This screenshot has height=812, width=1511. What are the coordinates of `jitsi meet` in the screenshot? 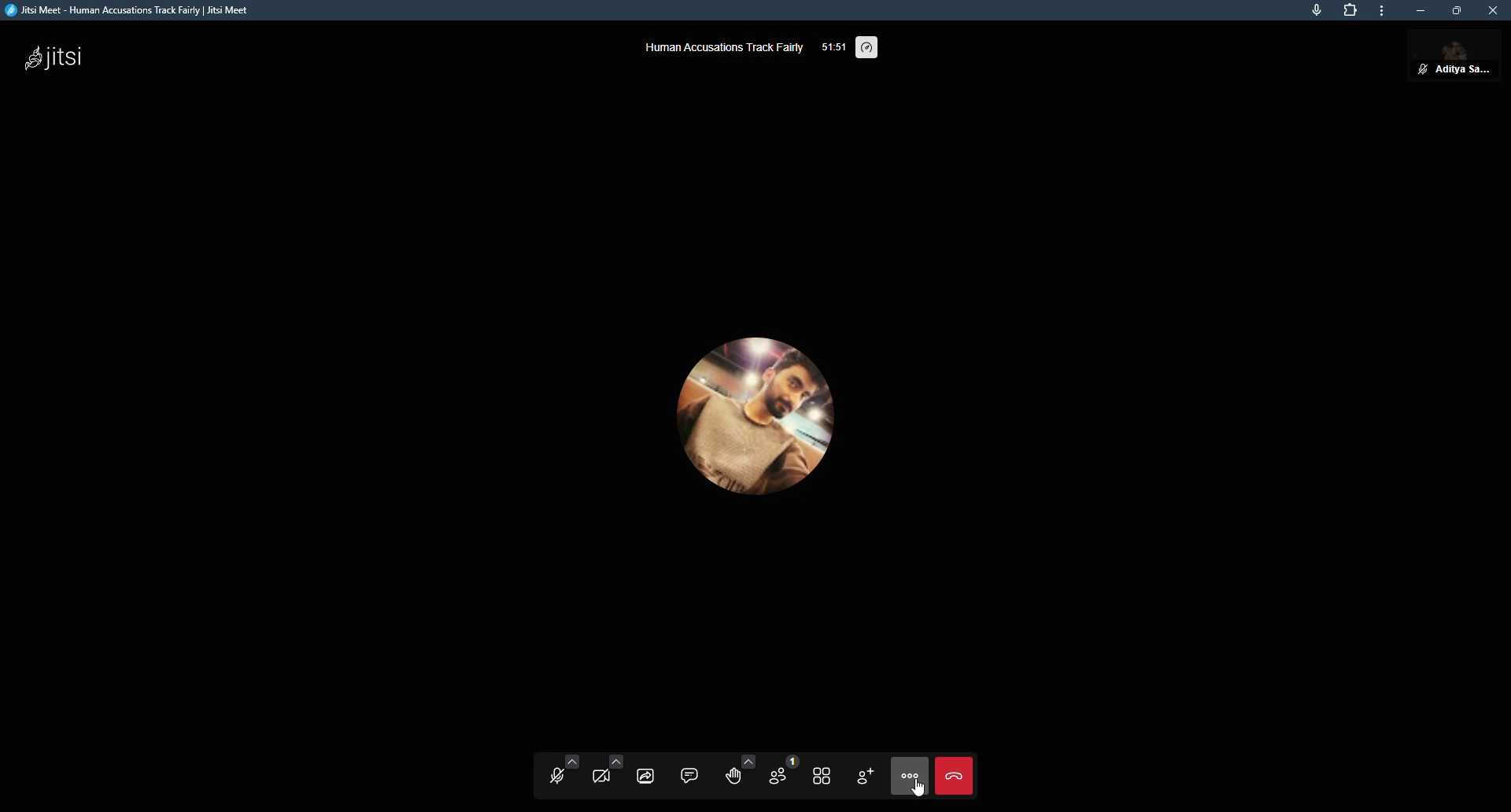 It's located at (126, 9).